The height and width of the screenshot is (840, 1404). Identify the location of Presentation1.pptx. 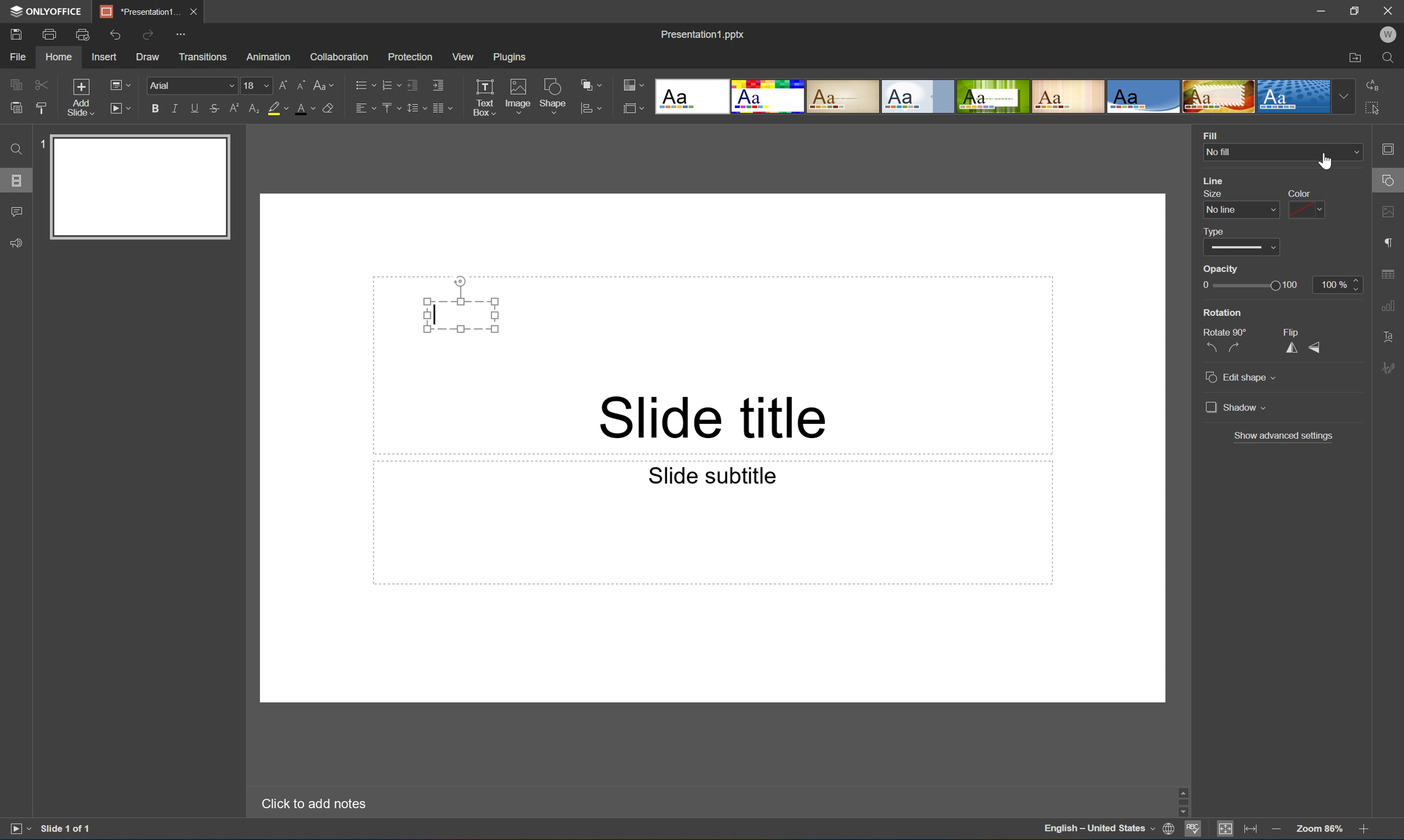
(701, 32).